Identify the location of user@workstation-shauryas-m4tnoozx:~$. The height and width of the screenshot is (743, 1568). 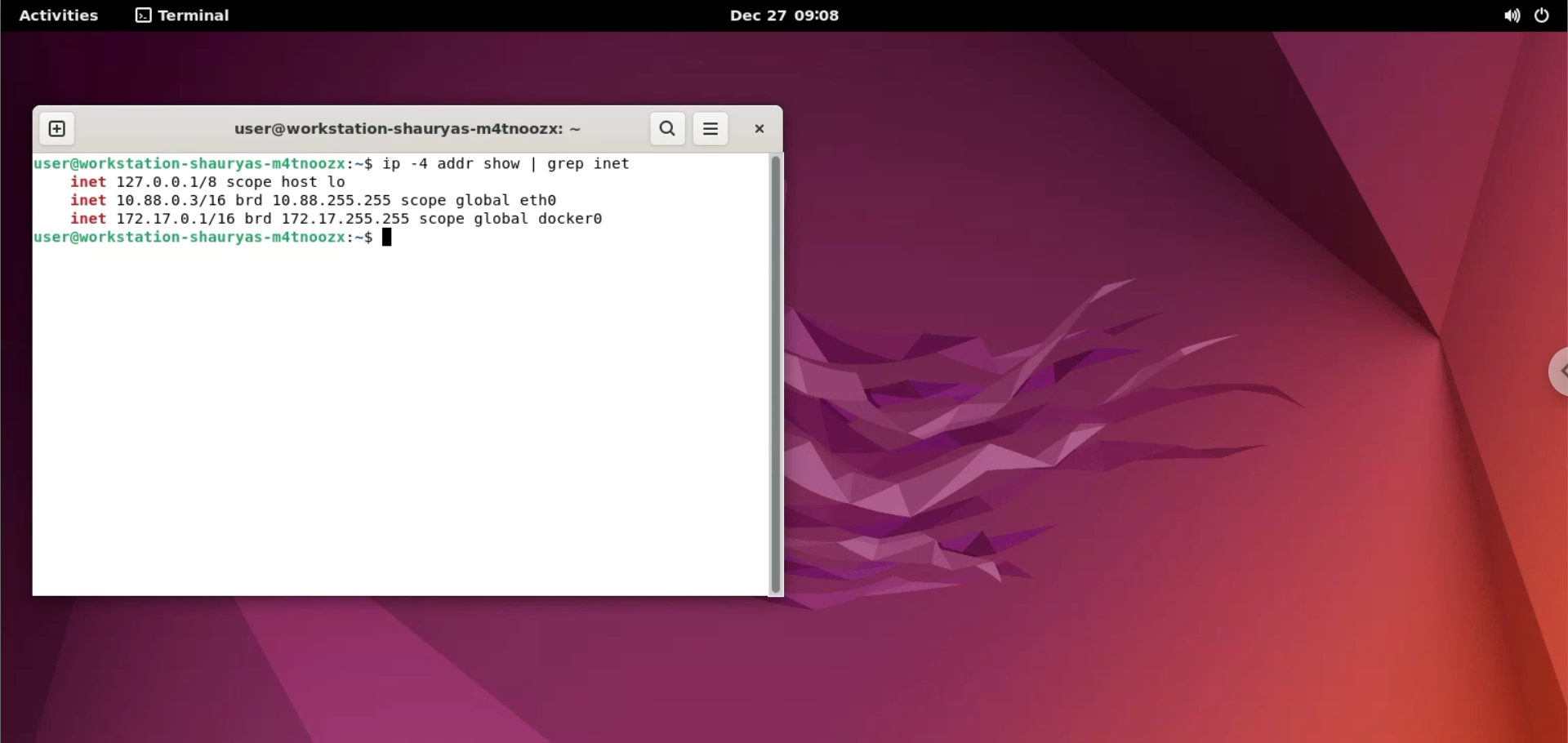
(203, 162).